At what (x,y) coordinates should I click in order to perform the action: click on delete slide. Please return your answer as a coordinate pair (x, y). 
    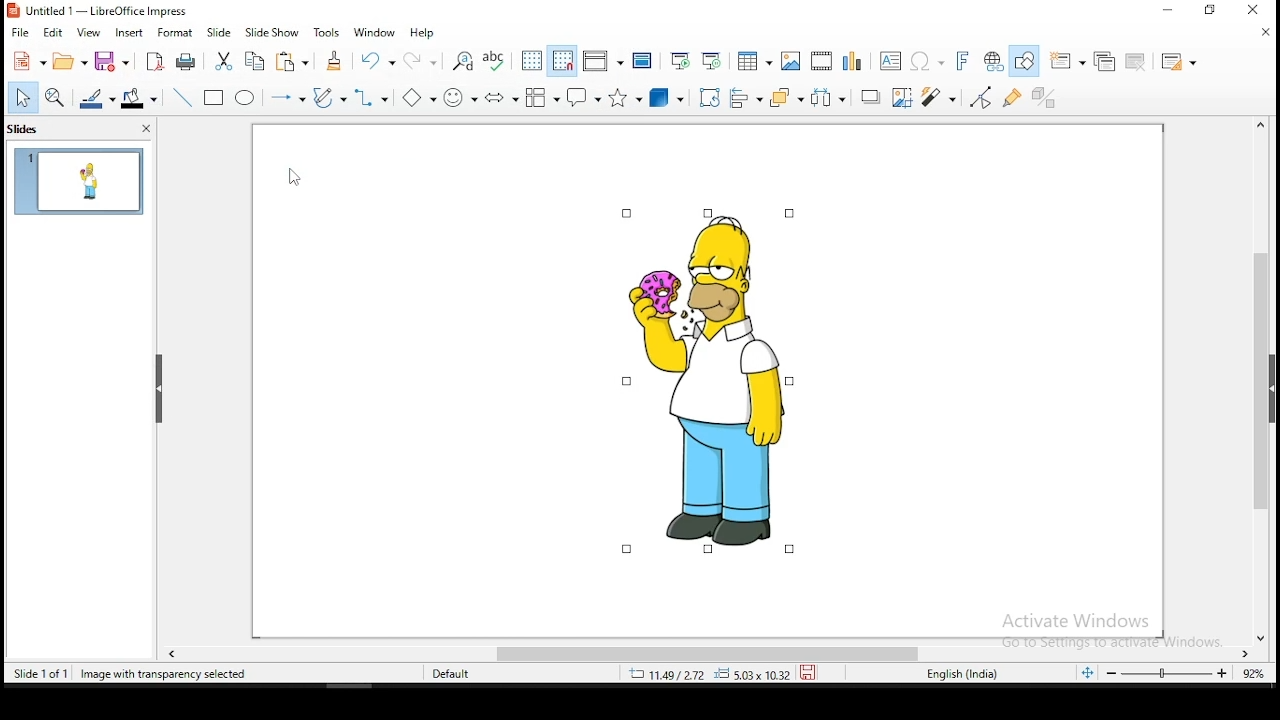
    Looking at the image, I should click on (1134, 62).